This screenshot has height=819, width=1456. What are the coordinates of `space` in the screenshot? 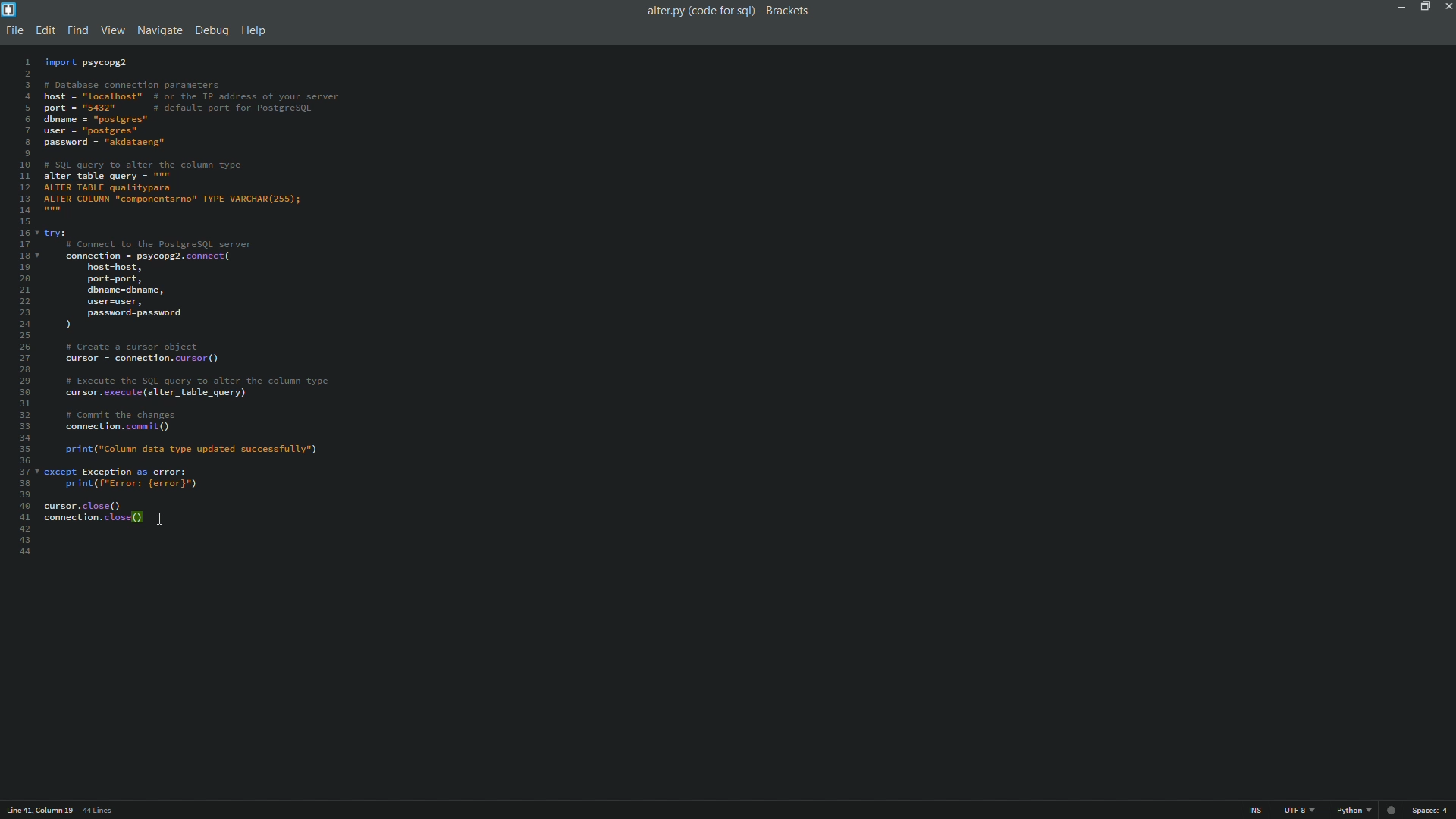 It's located at (1433, 811).